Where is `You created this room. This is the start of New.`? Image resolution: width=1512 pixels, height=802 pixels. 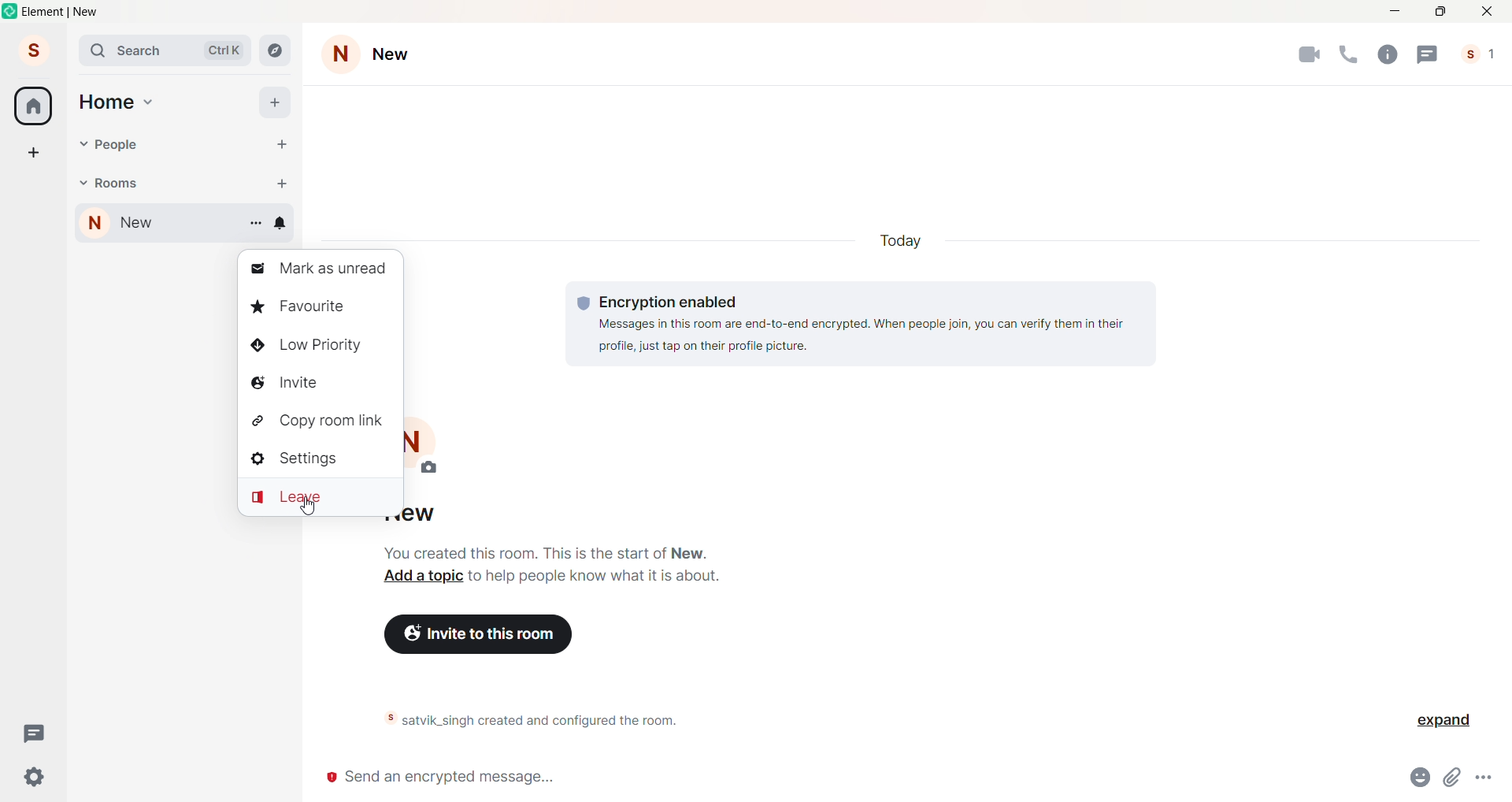 You created this room. This is the start of New. is located at coordinates (546, 551).